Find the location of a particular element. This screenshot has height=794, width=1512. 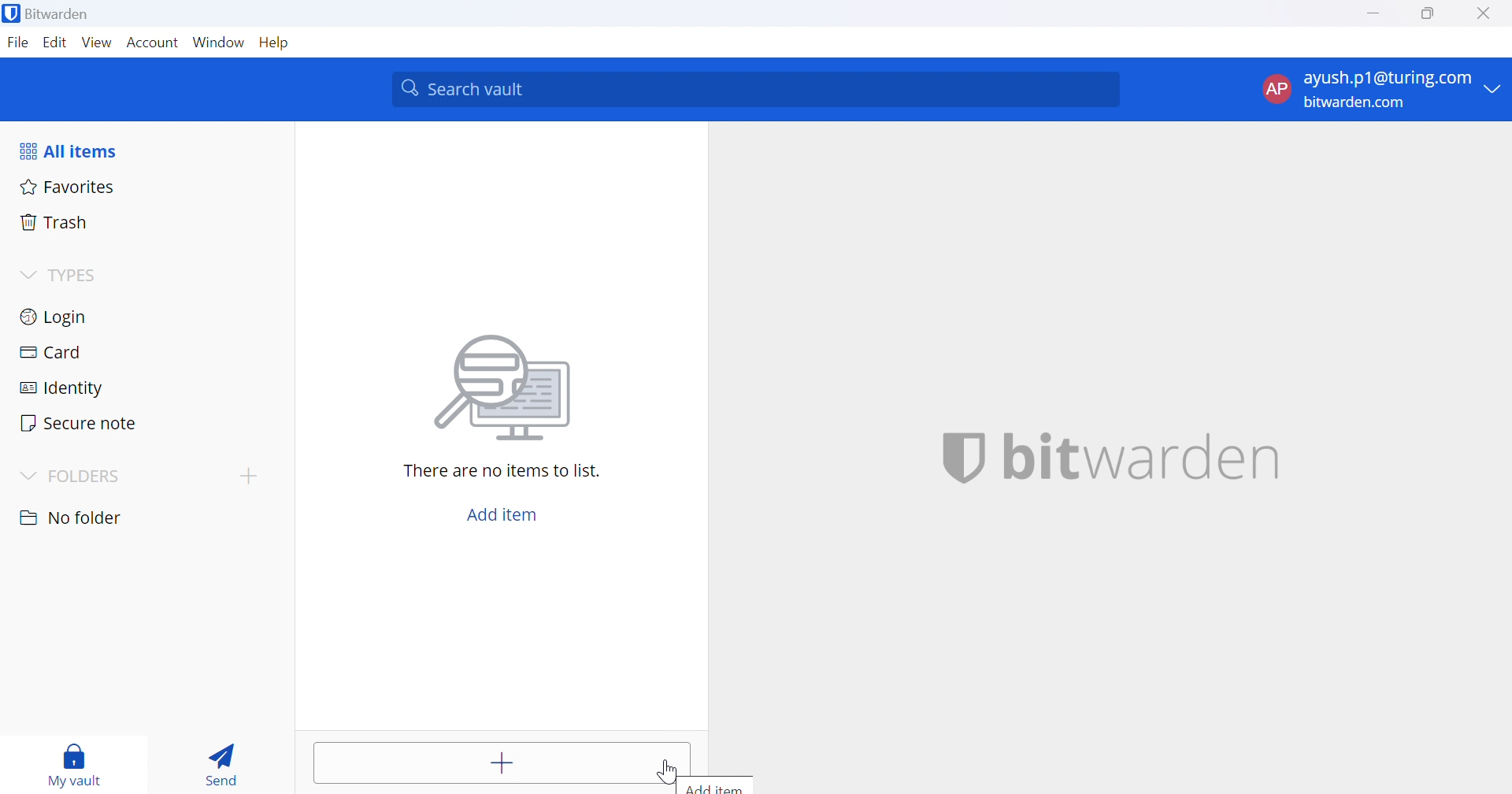

Restore Down is located at coordinates (1429, 14).